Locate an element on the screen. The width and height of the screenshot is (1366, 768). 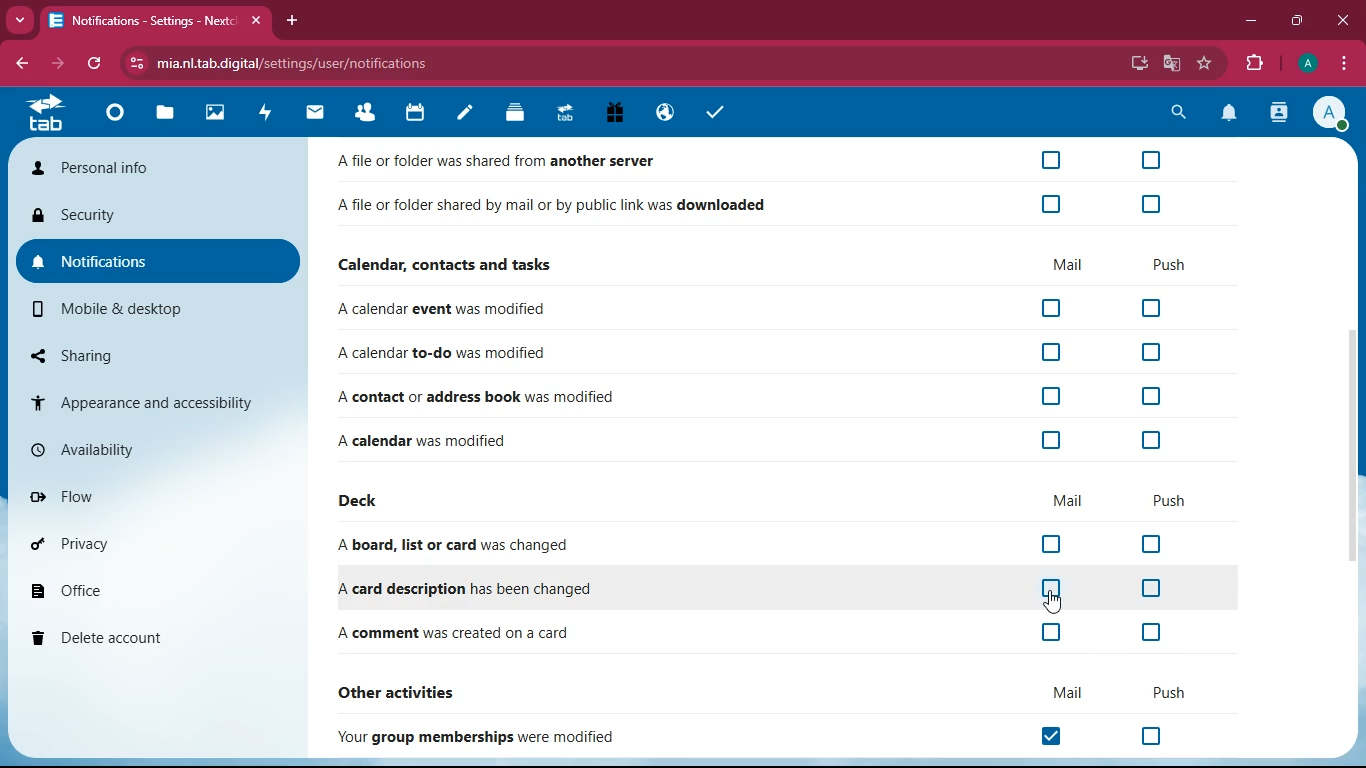
mail is located at coordinates (1069, 500).